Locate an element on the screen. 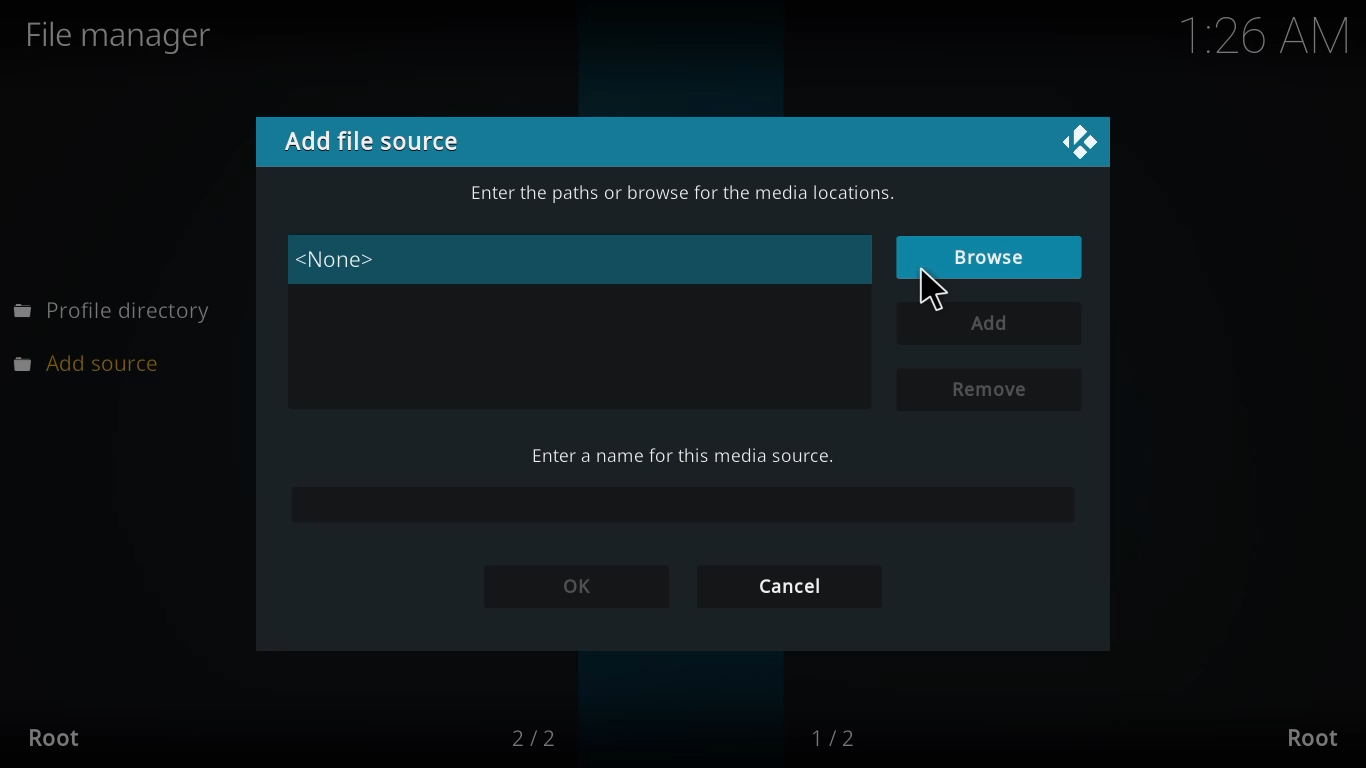  time is located at coordinates (1263, 37).